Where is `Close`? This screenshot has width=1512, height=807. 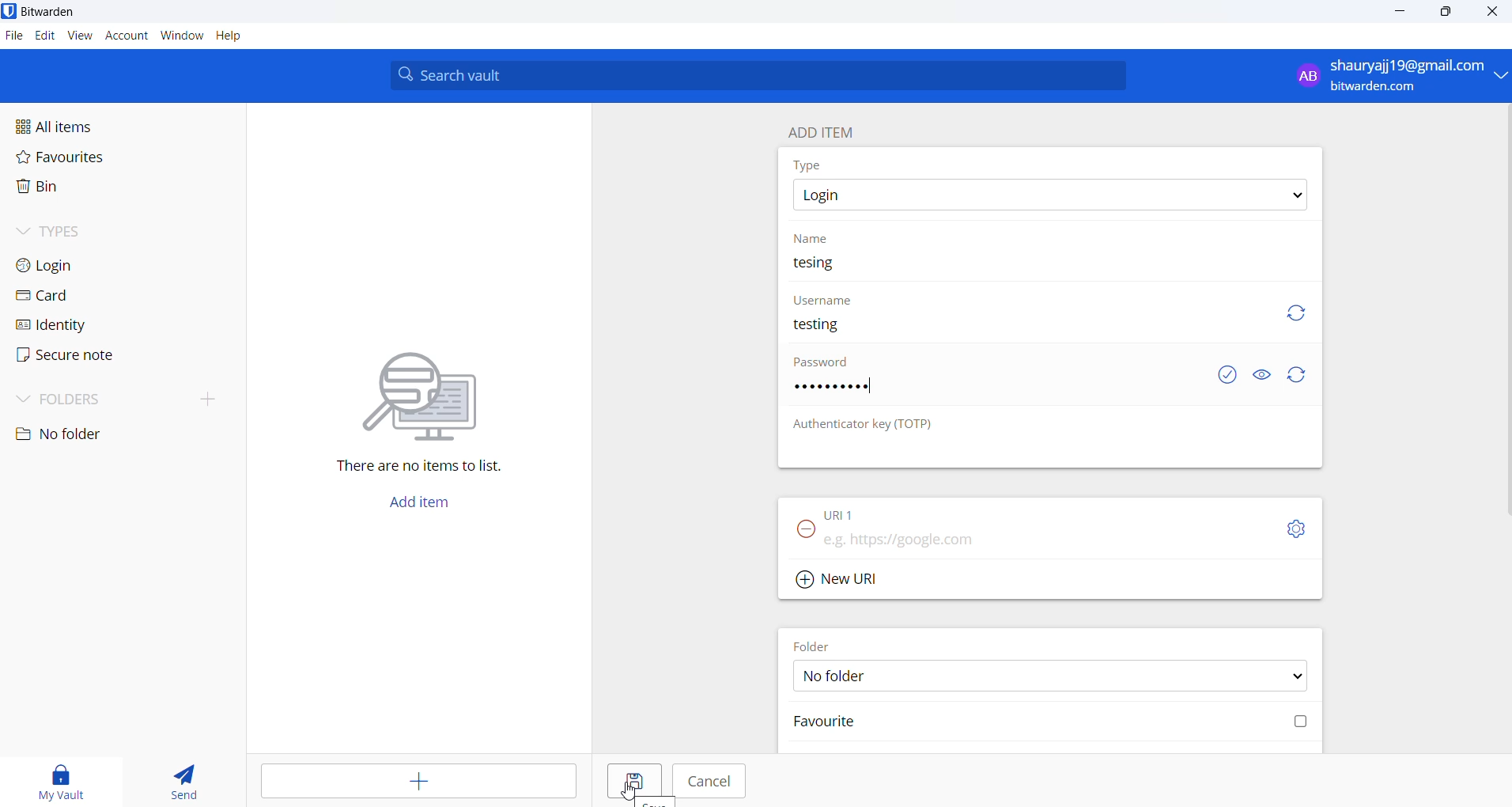
Close is located at coordinates (1494, 14).